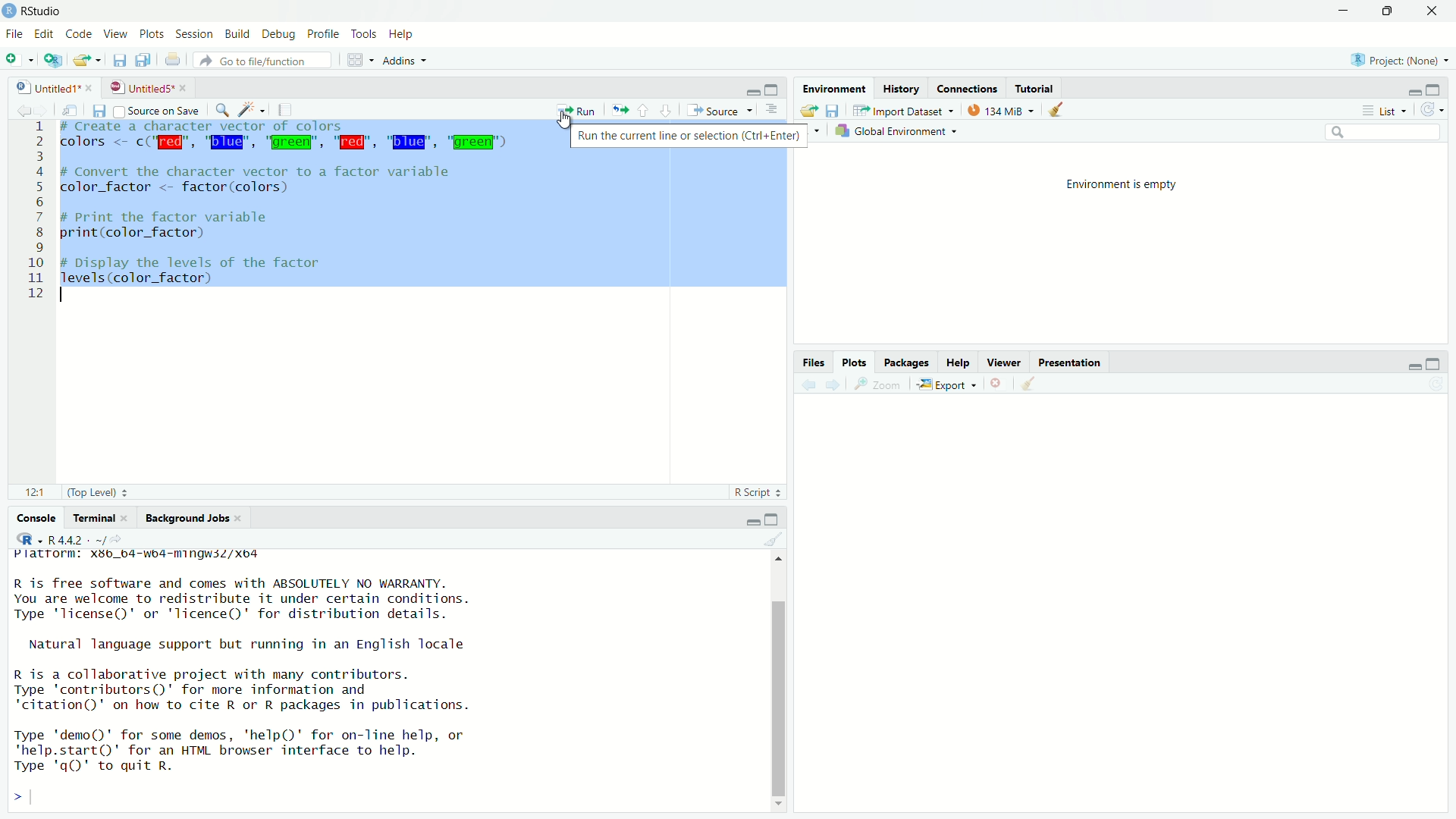 The height and width of the screenshot is (819, 1456). I want to click on Viewer, so click(1005, 362).